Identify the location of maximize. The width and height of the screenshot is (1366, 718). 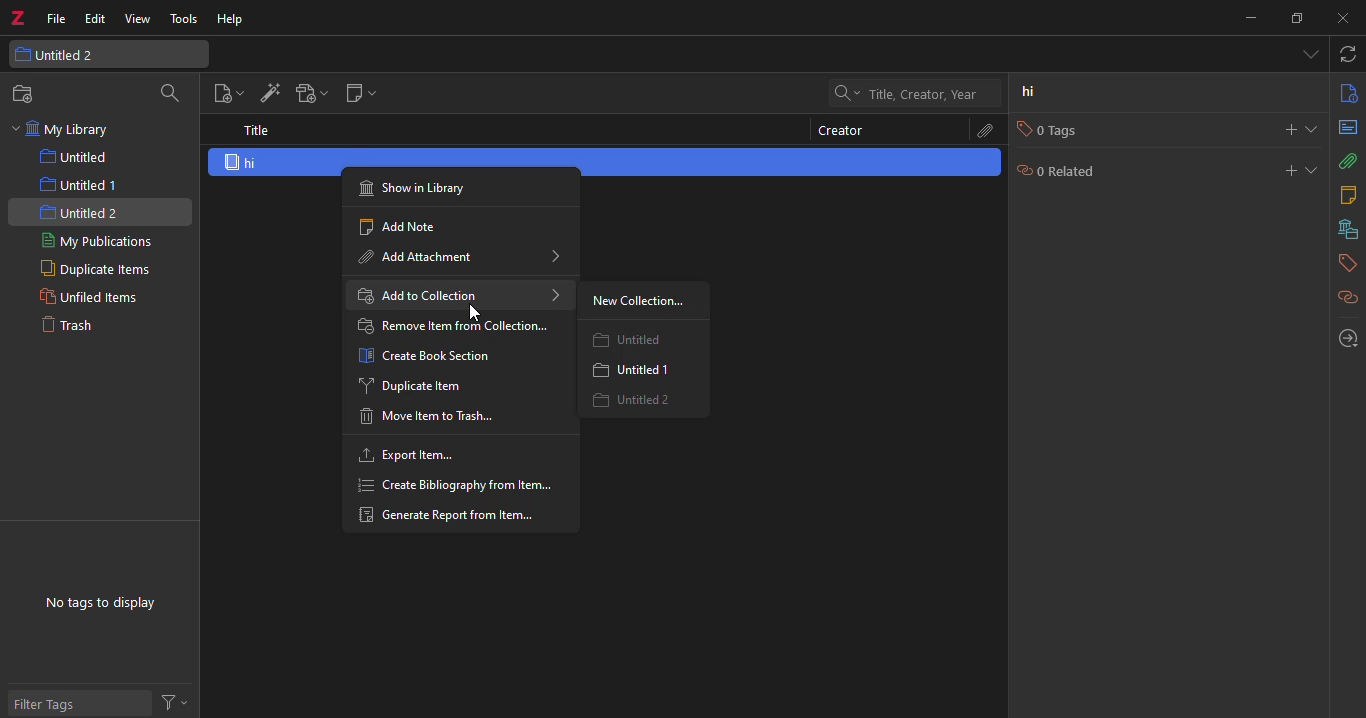
(1296, 19).